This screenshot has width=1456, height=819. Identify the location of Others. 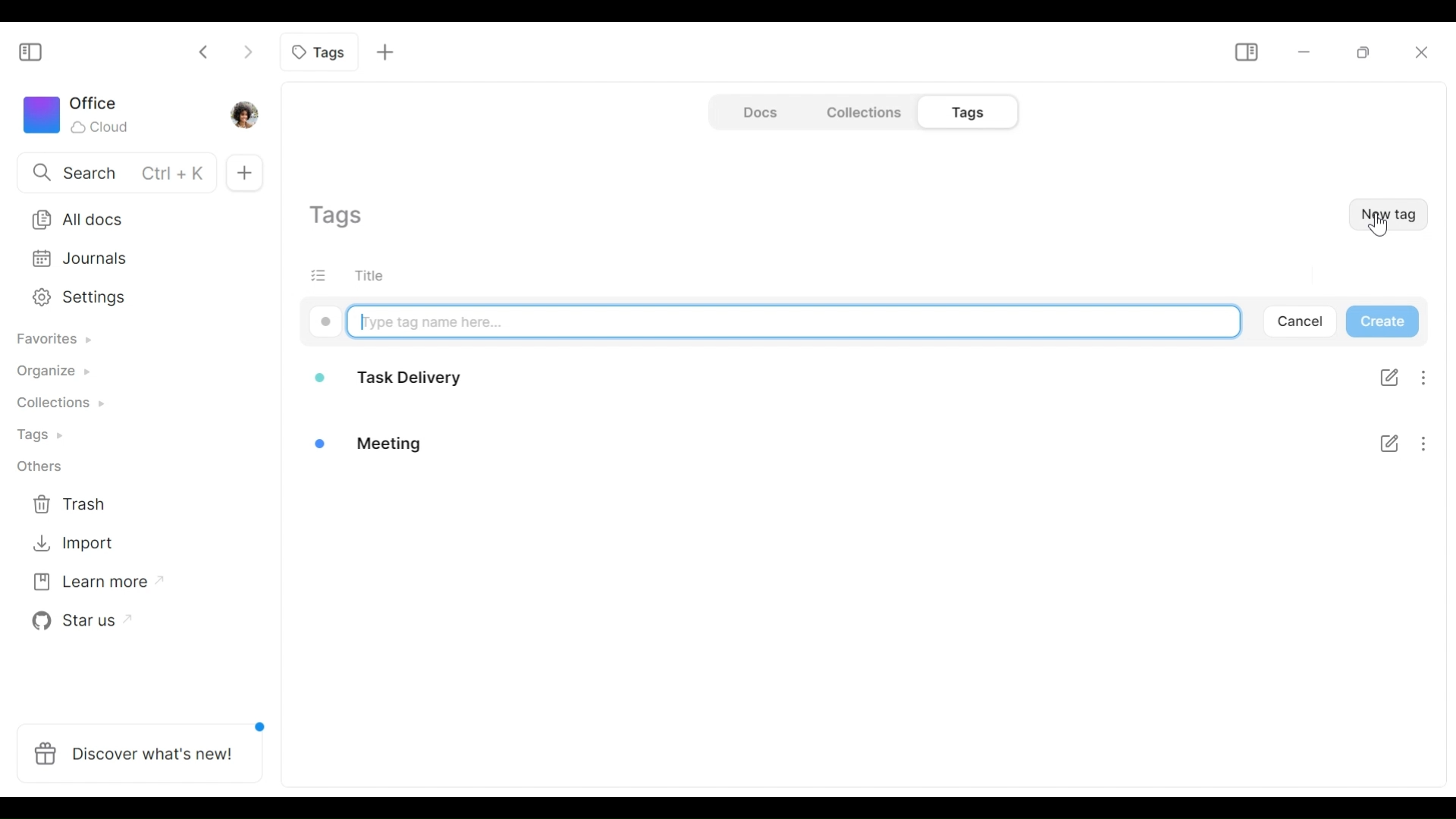
(45, 465).